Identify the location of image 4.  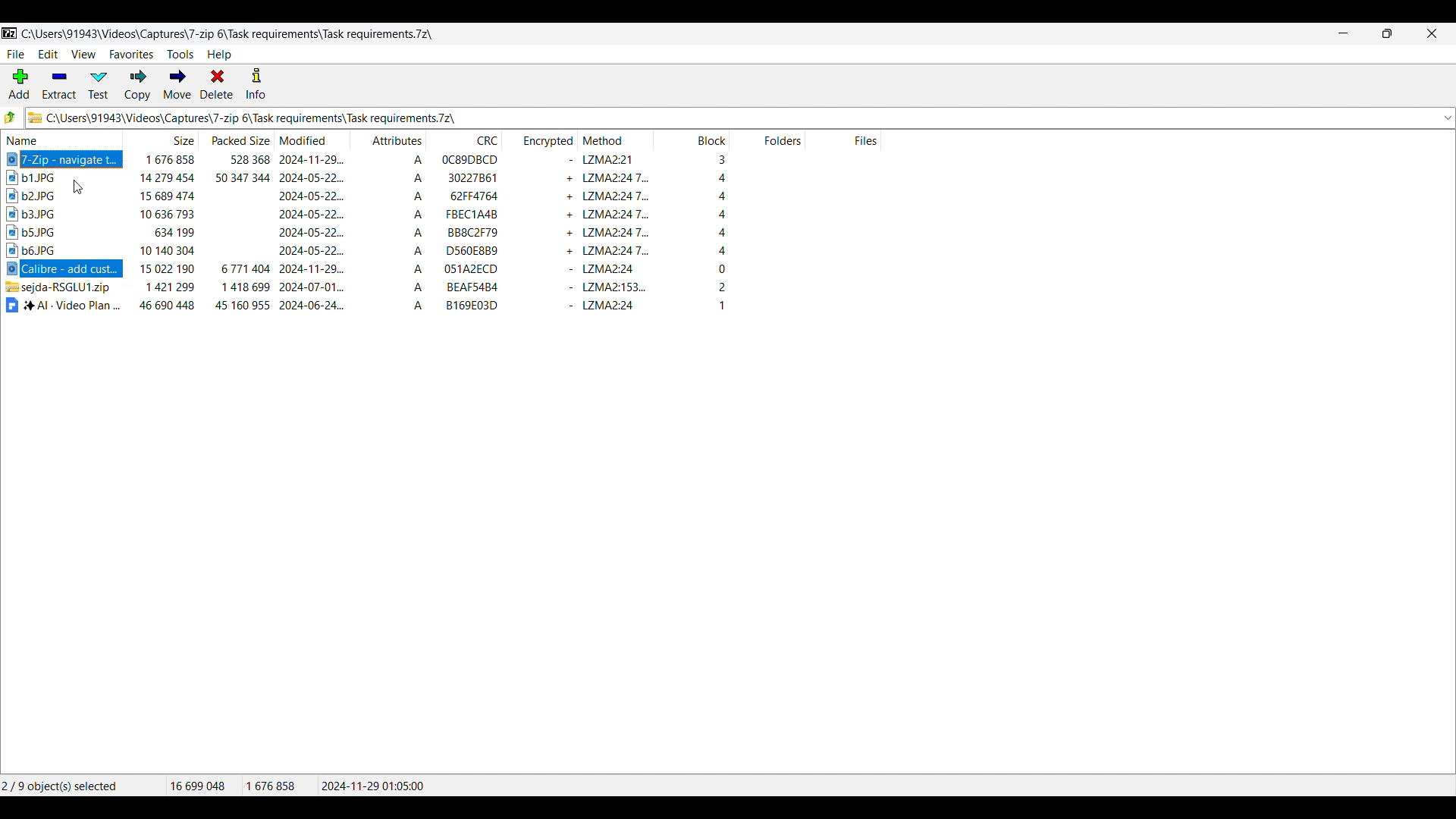
(46, 231).